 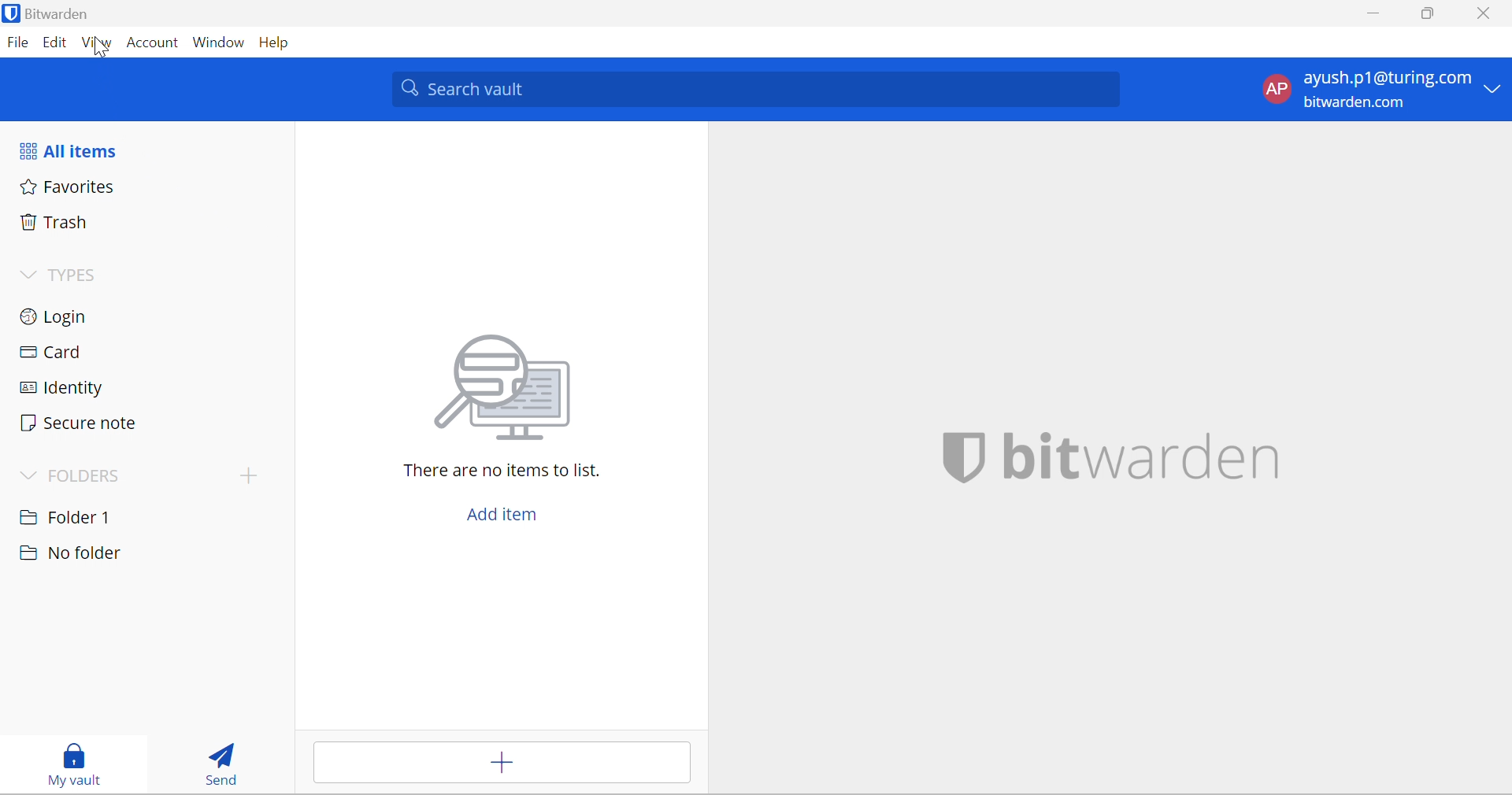 What do you see at coordinates (60, 221) in the screenshot?
I see `Trash` at bounding box center [60, 221].